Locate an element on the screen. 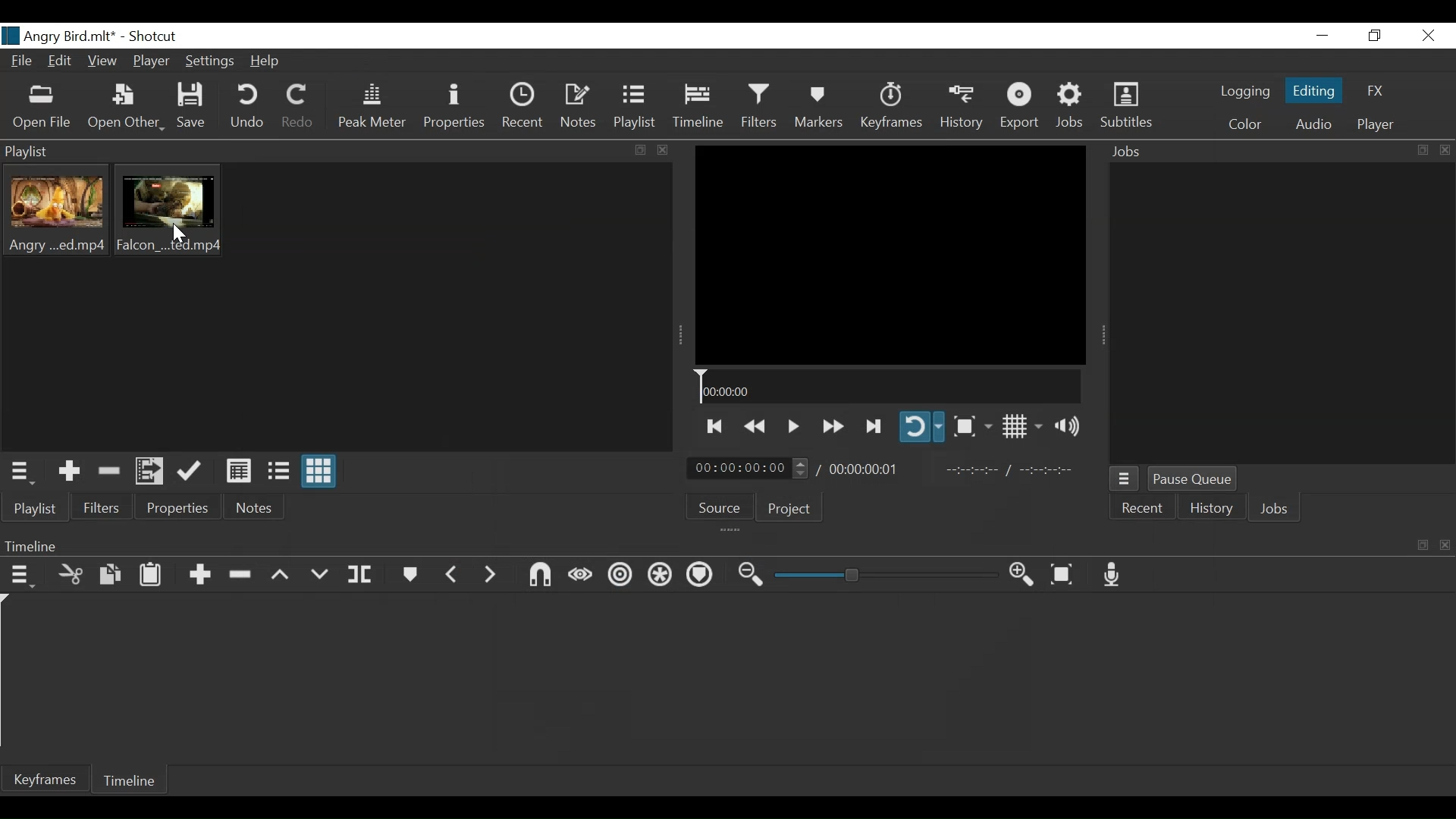 This screenshot has width=1456, height=819. Properties is located at coordinates (457, 106).